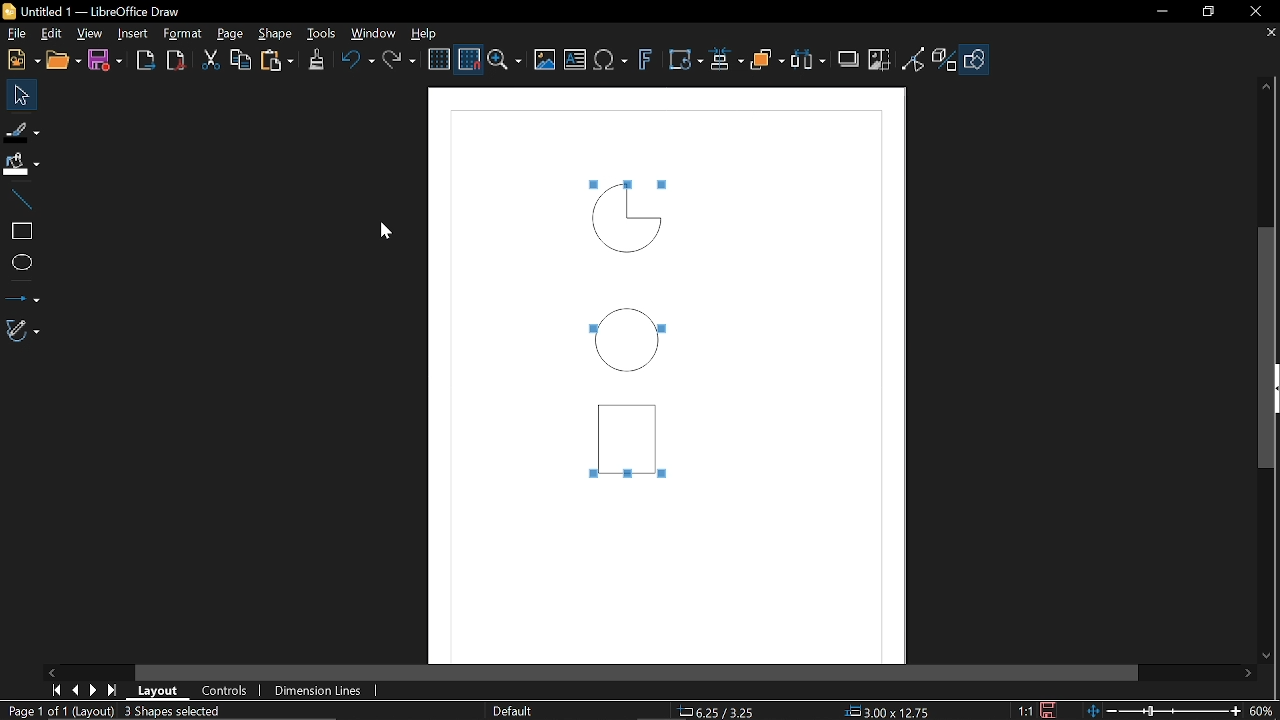 The image size is (1280, 720). Describe the element at coordinates (1287, 34) in the screenshot. I see `Close tab` at that location.